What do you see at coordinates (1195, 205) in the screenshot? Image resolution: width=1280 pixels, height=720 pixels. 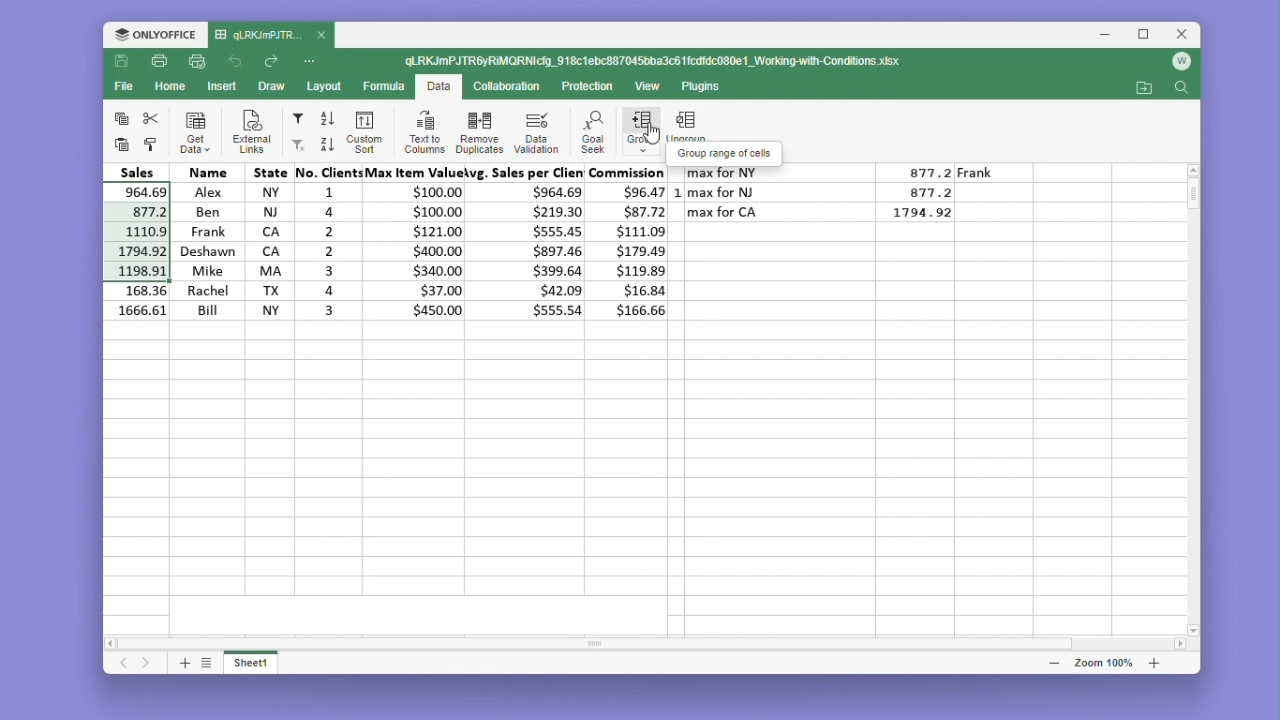 I see `Vertical scroll bar` at bounding box center [1195, 205].